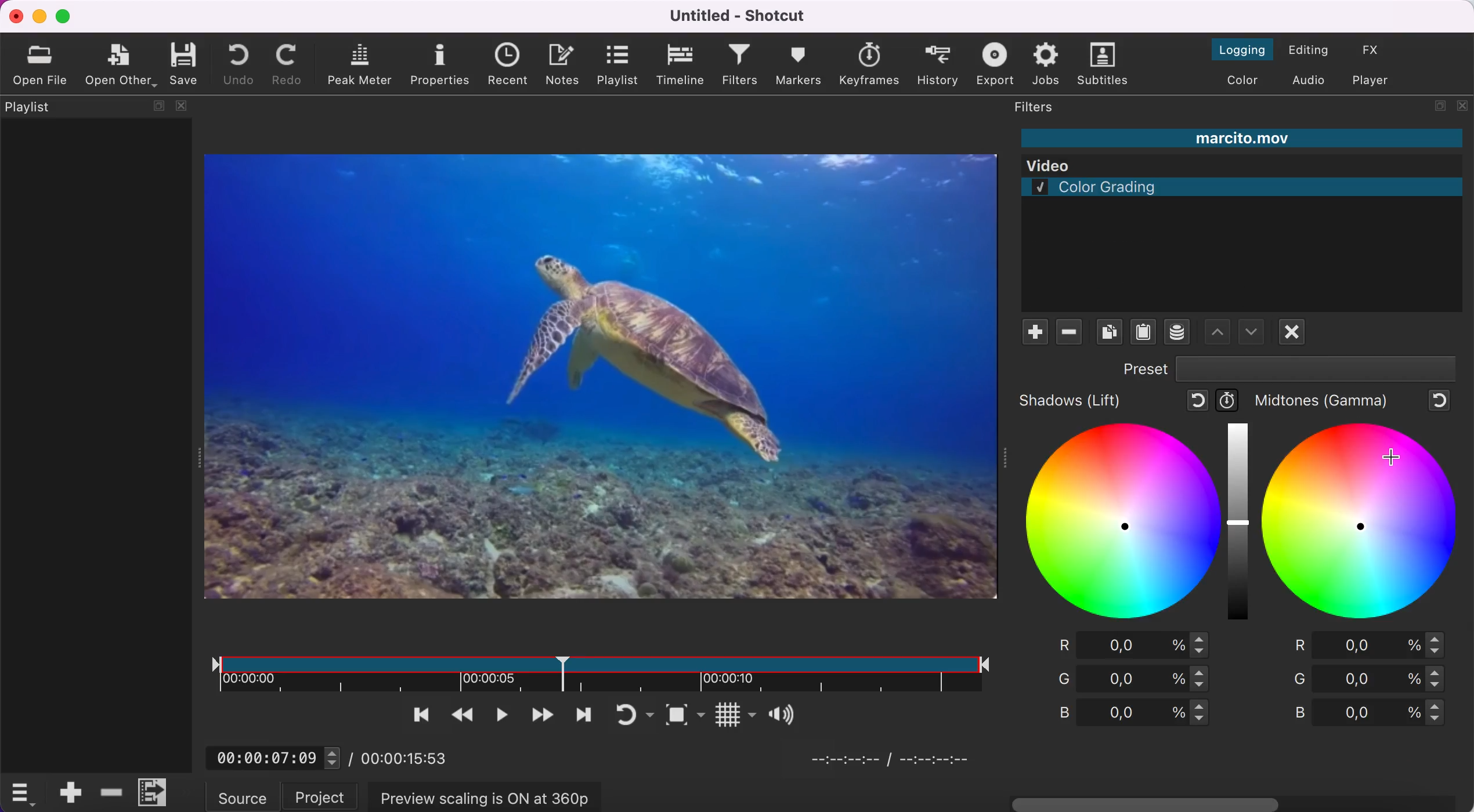 The width and height of the screenshot is (1474, 812). What do you see at coordinates (38, 64) in the screenshot?
I see `open file` at bounding box center [38, 64].